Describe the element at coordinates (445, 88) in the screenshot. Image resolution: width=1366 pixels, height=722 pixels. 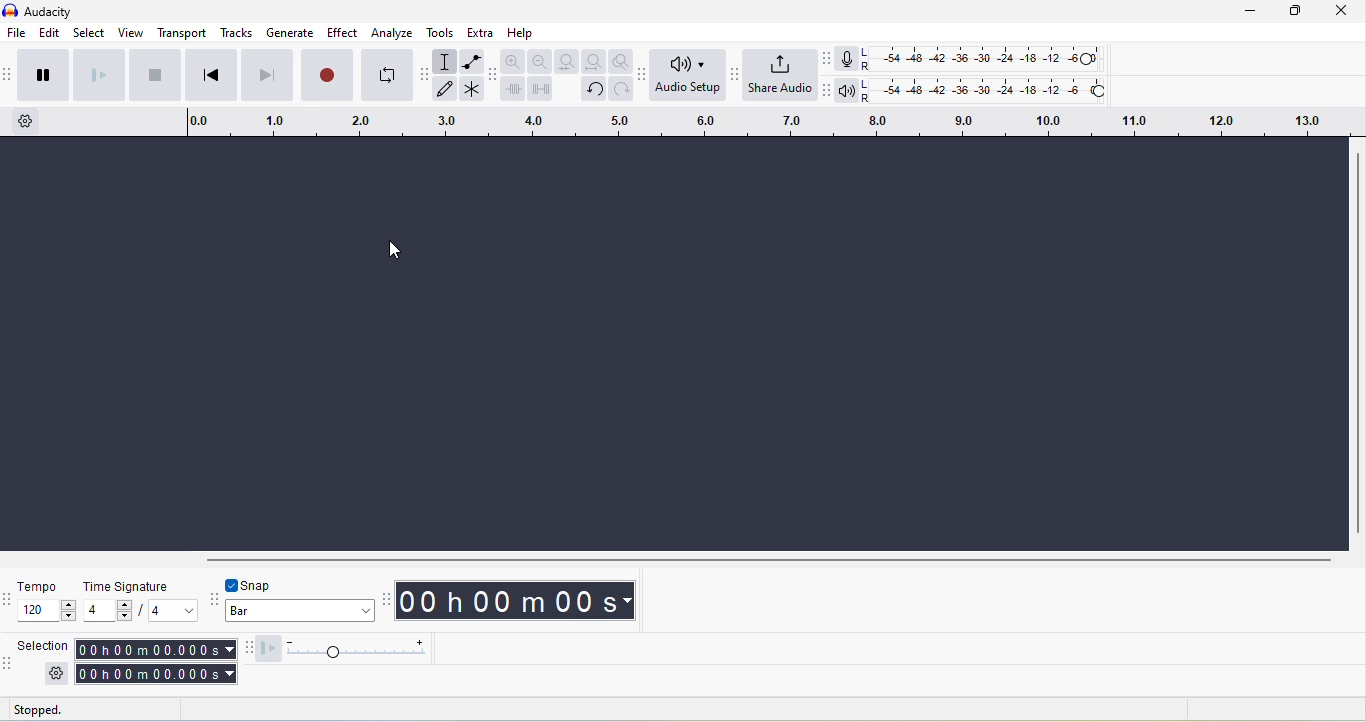
I see `draw tool` at that location.